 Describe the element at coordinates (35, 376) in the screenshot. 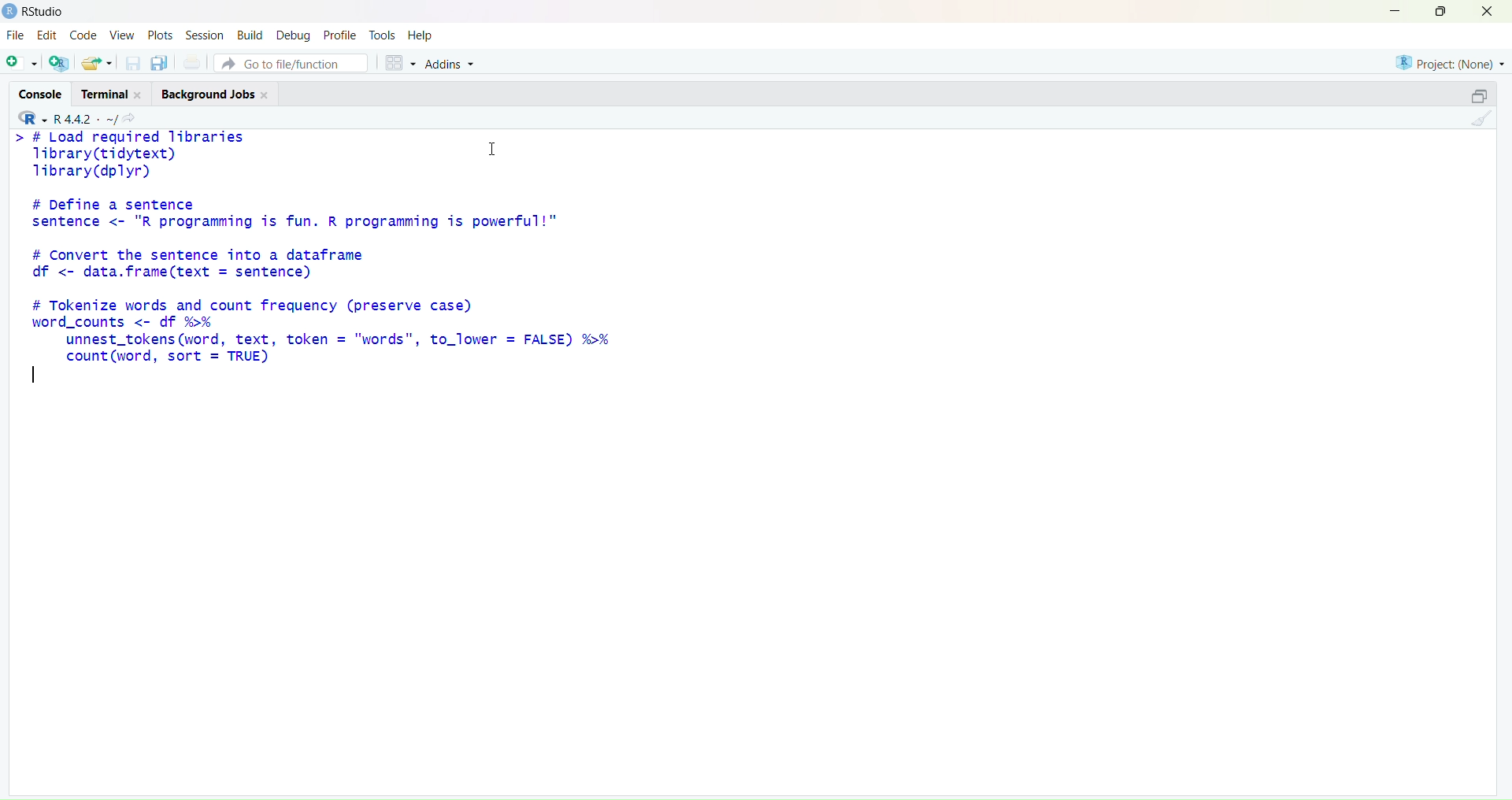

I see `text cursor` at that location.